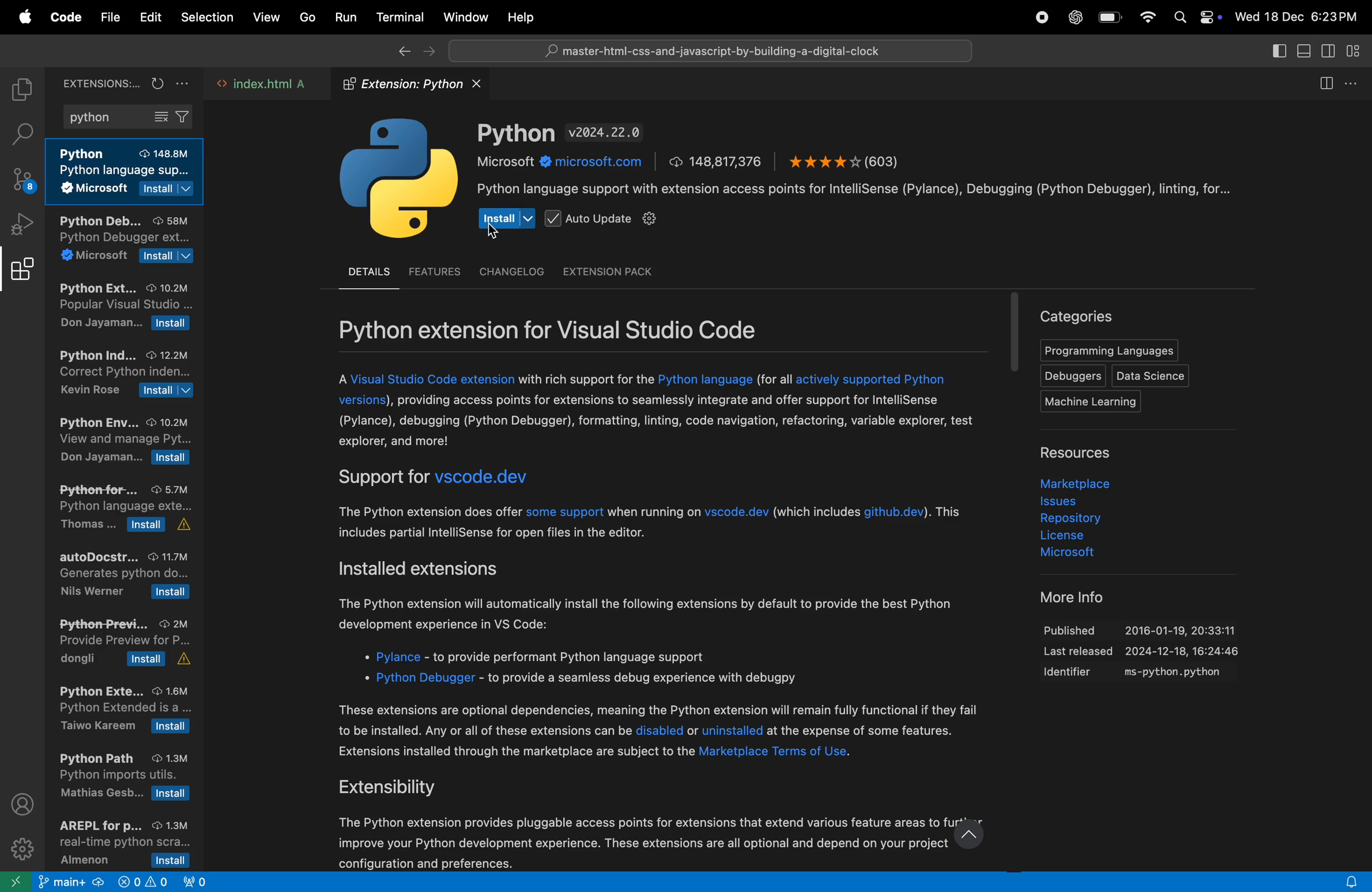 Image resolution: width=1372 pixels, height=892 pixels. Describe the element at coordinates (96, 82) in the screenshot. I see `extensions` at that location.